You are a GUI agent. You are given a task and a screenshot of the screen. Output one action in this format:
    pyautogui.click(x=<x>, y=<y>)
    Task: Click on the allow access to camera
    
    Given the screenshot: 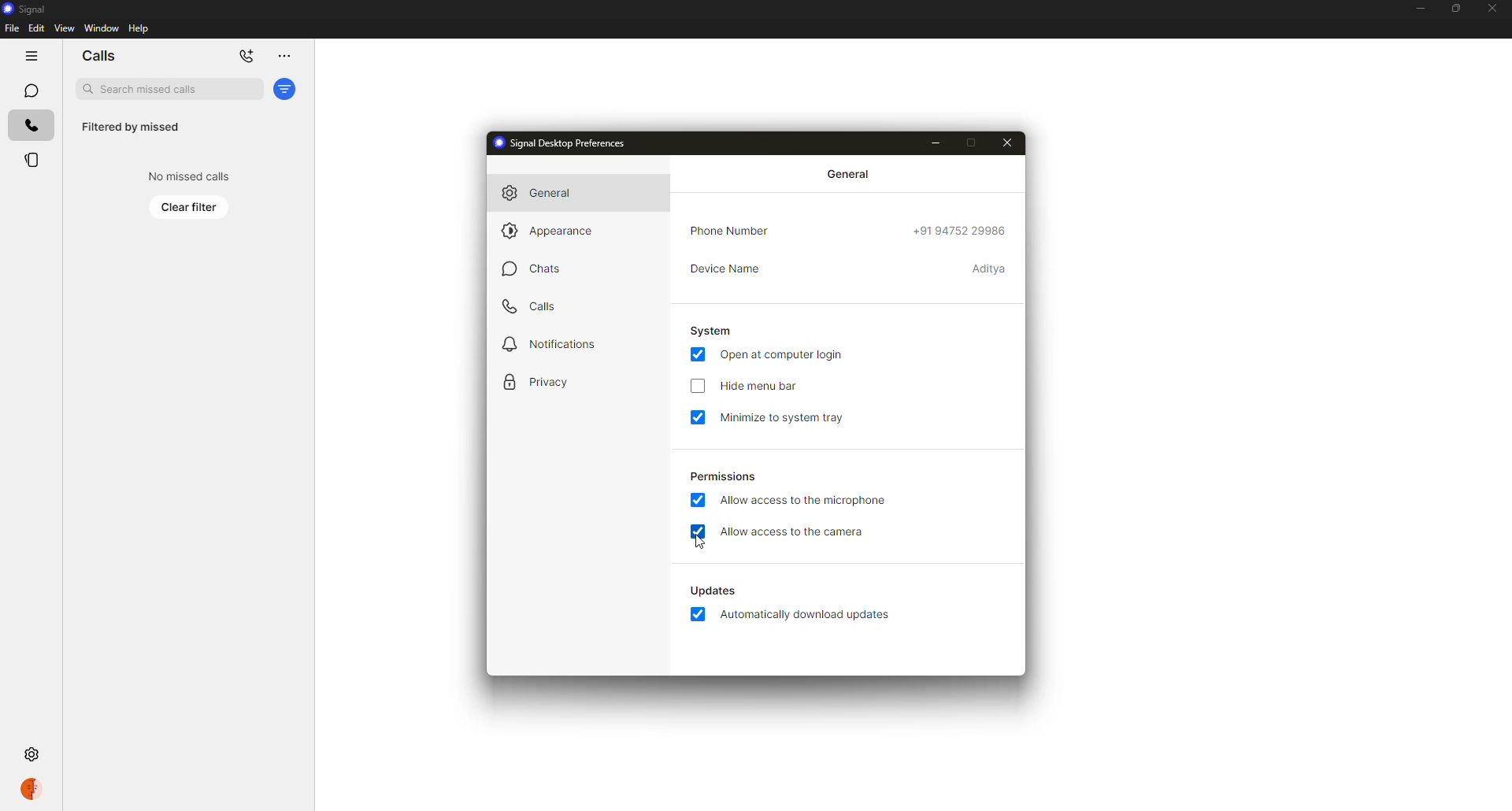 What is the action you would take?
    pyautogui.click(x=795, y=533)
    